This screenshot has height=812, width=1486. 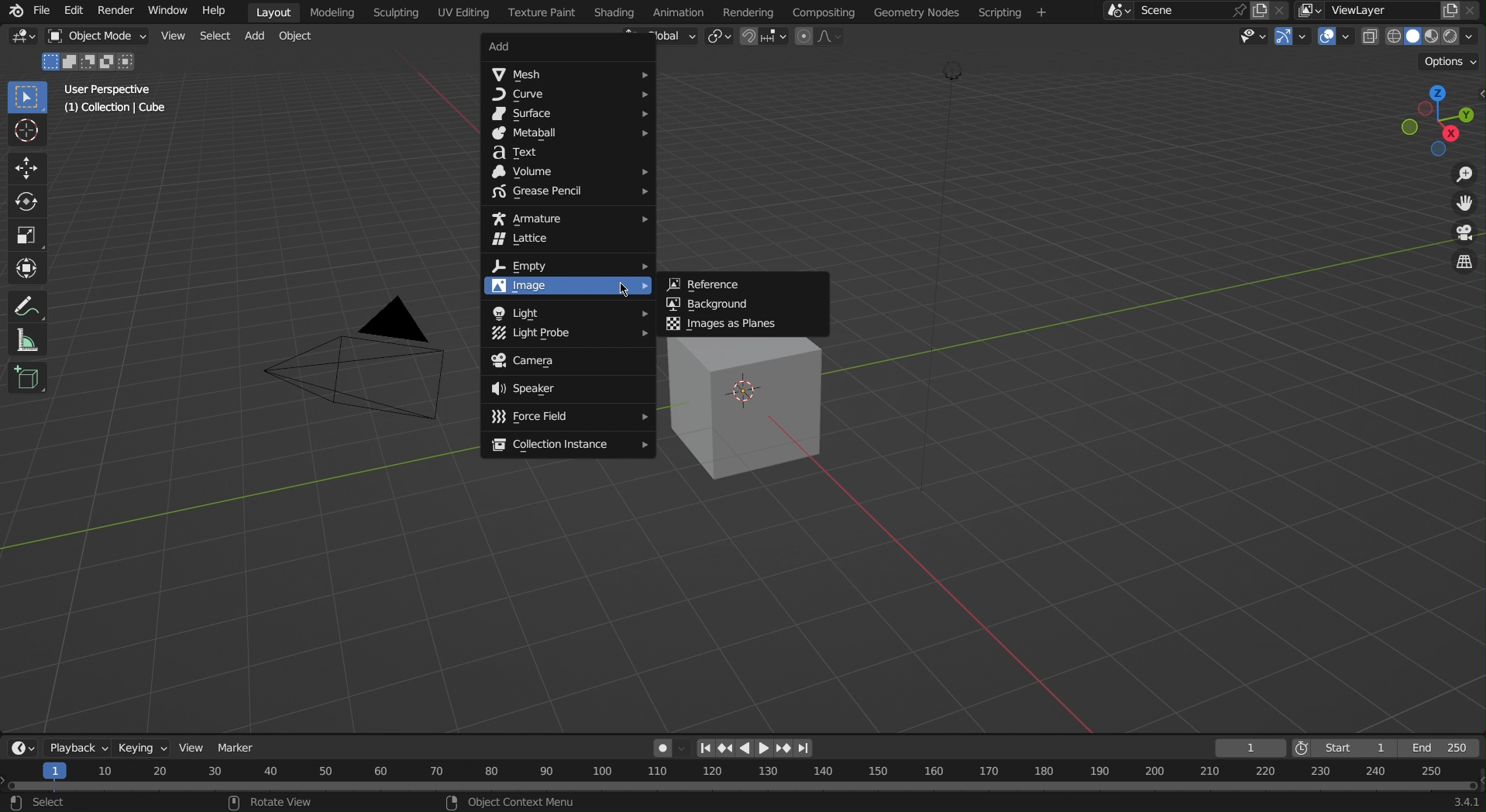 I want to click on Keying, so click(x=139, y=746).